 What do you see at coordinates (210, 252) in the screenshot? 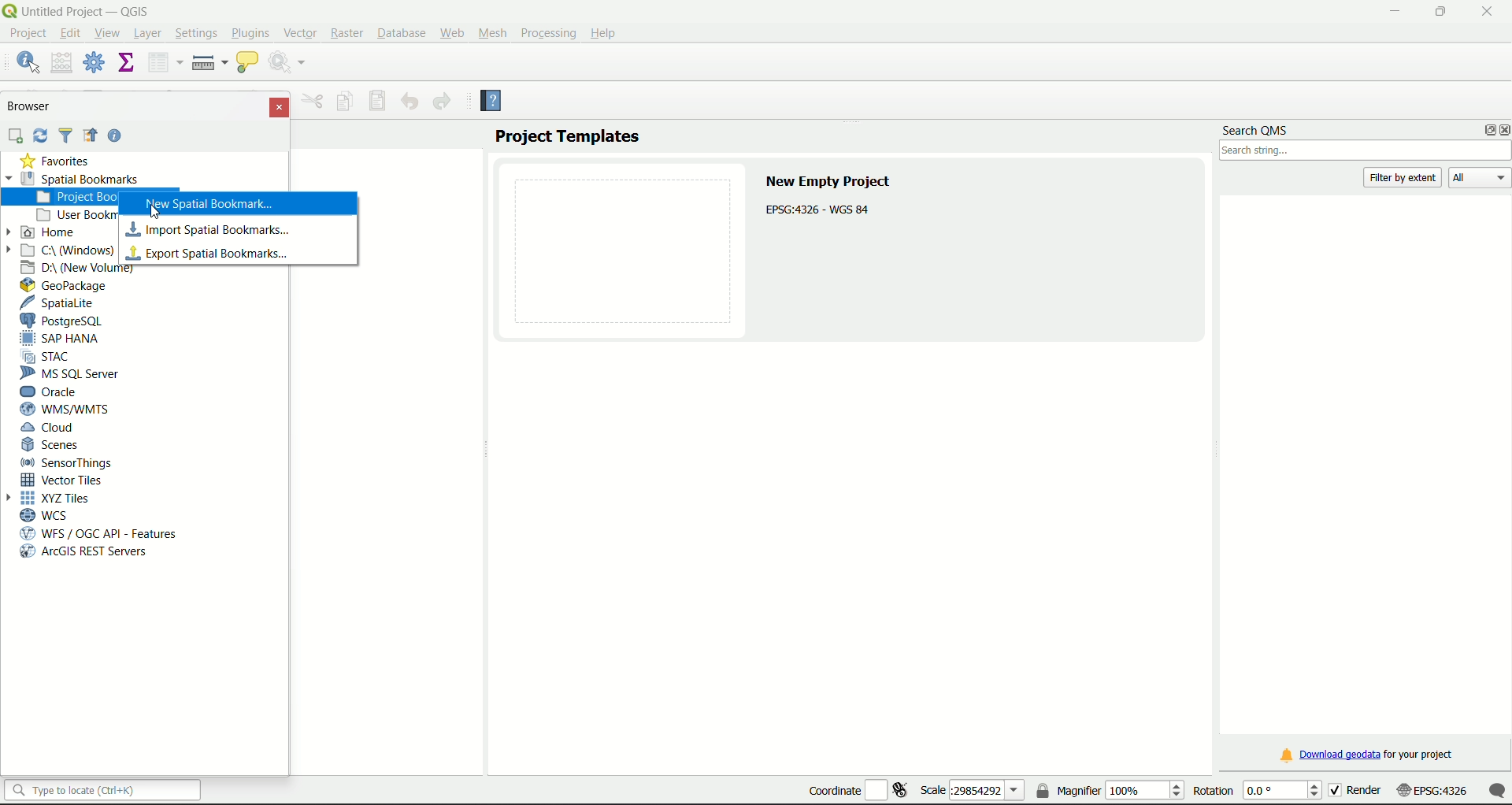
I see `export spatial bookmarks` at bounding box center [210, 252].